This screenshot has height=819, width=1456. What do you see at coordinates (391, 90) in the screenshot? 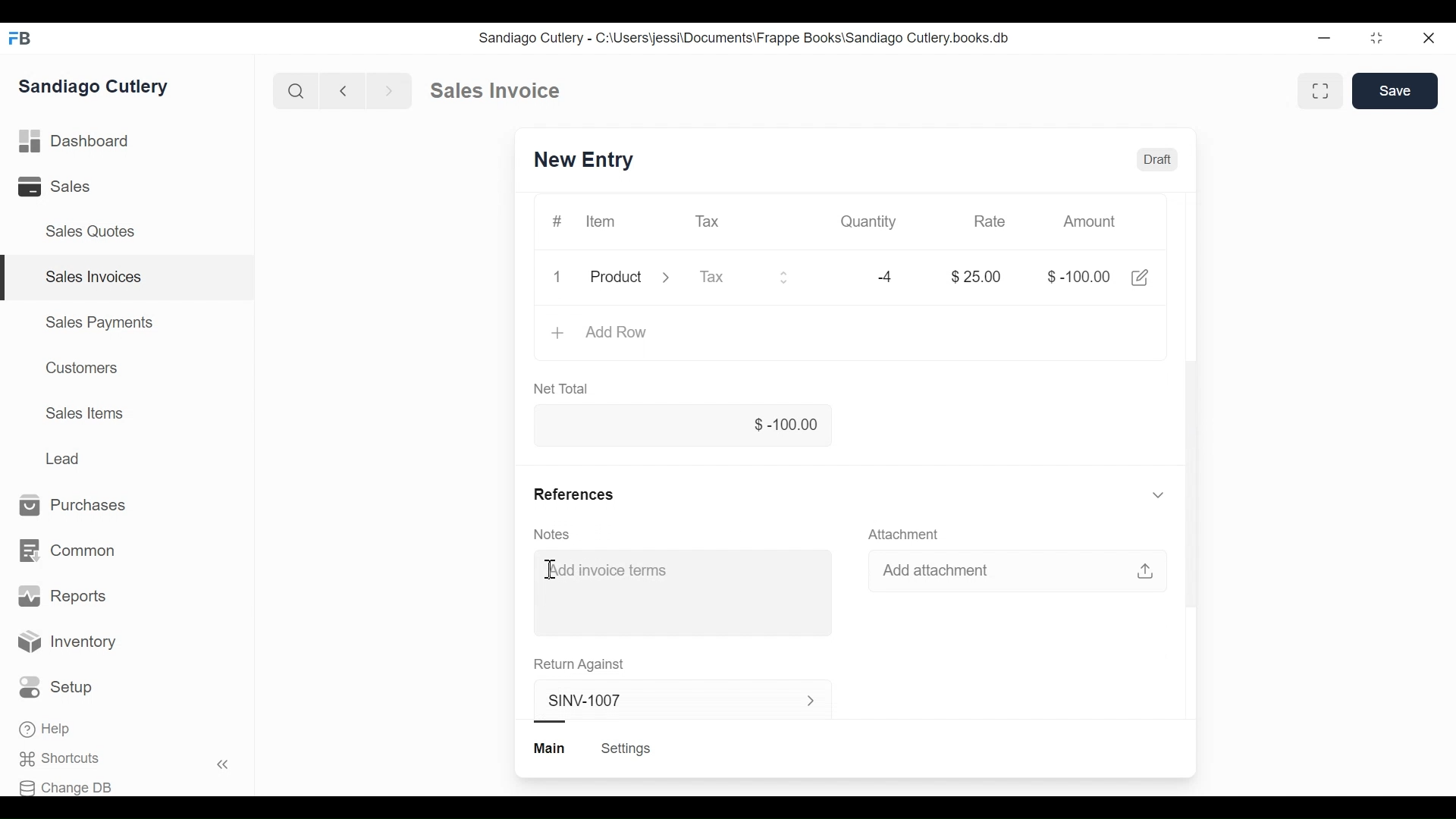
I see `Next` at bounding box center [391, 90].